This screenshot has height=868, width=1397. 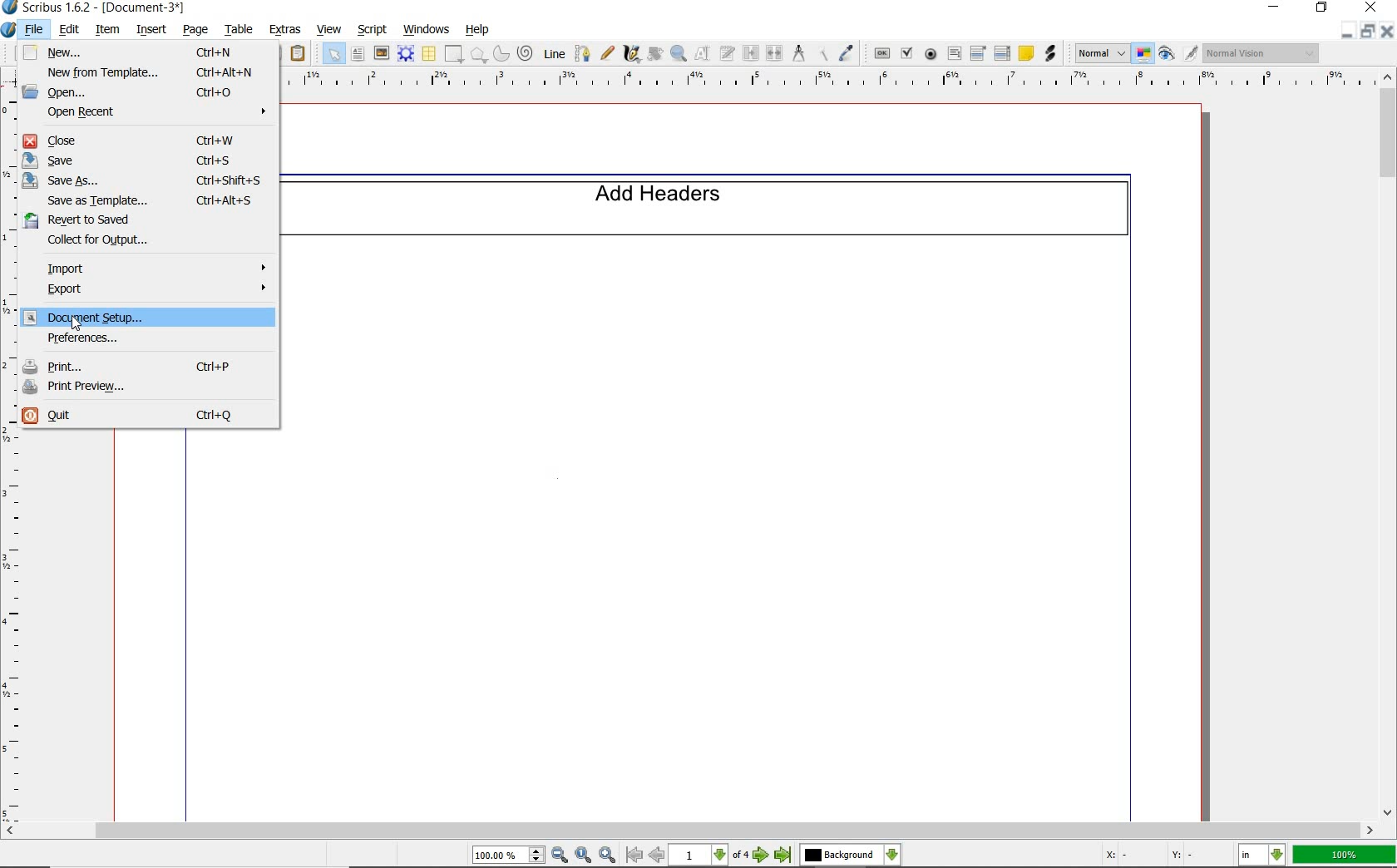 What do you see at coordinates (287, 28) in the screenshot?
I see `extras` at bounding box center [287, 28].